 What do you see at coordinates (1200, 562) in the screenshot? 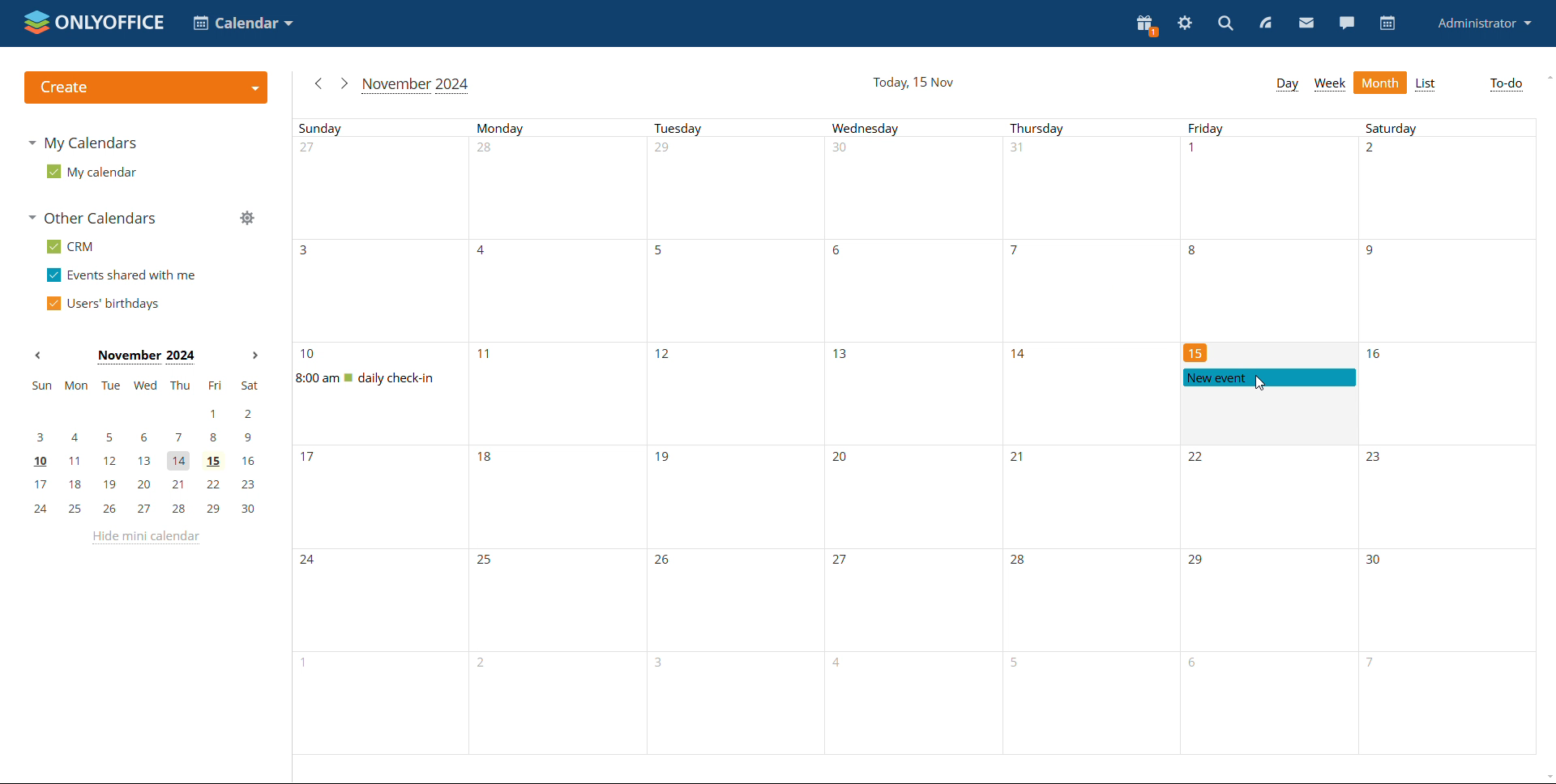
I see `Number` at bounding box center [1200, 562].